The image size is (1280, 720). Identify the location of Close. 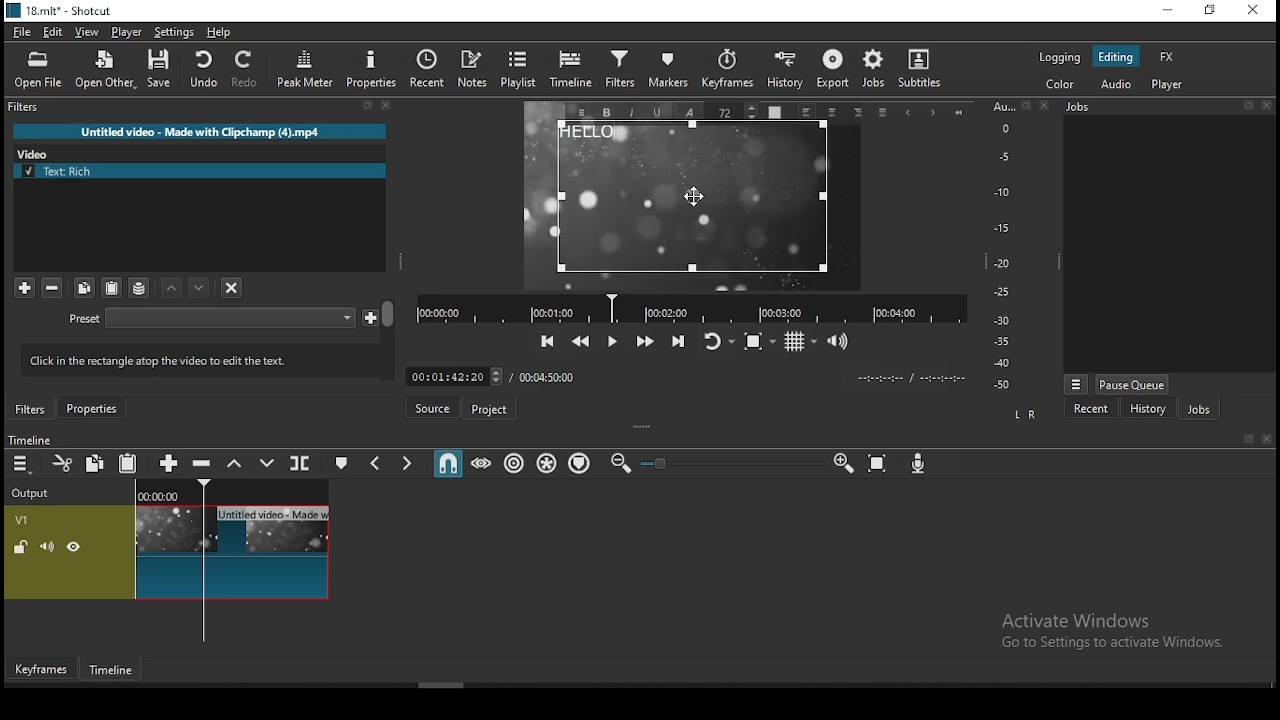
(1266, 105).